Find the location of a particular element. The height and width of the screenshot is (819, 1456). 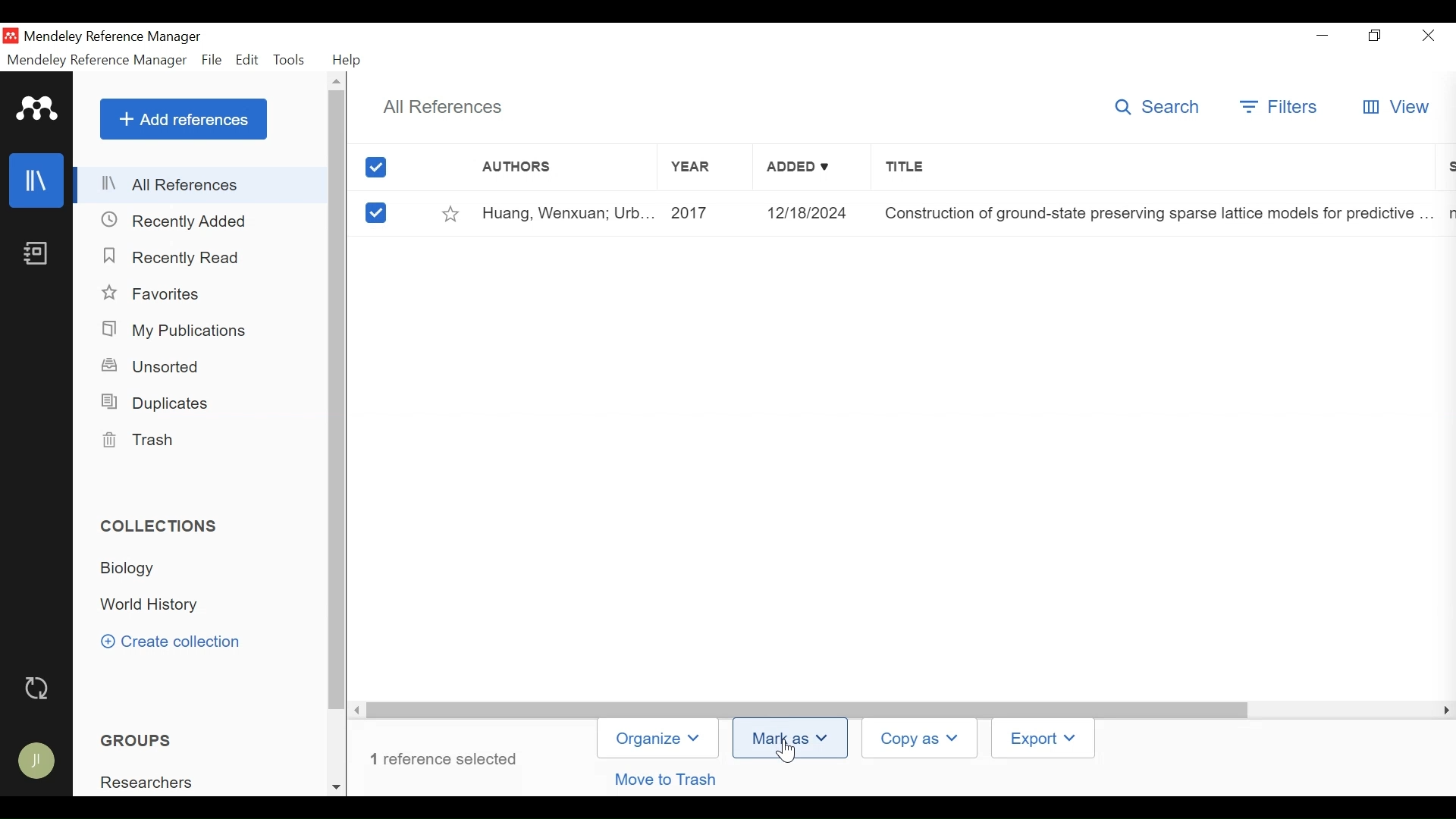

Move to trash is located at coordinates (670, 780).